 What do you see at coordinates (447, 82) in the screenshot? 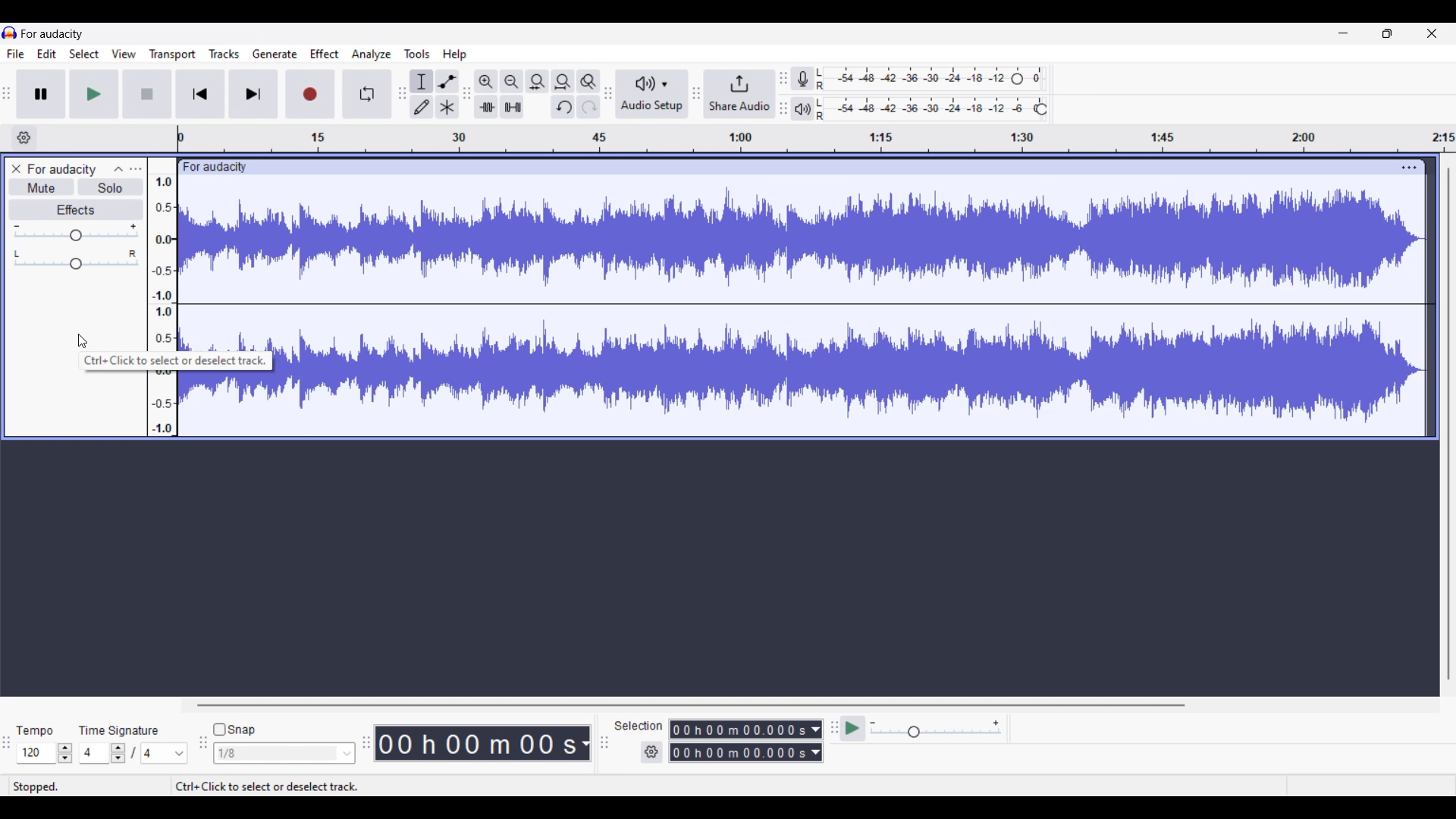
I see `Envelop tool` at bounding box center [447, 82].